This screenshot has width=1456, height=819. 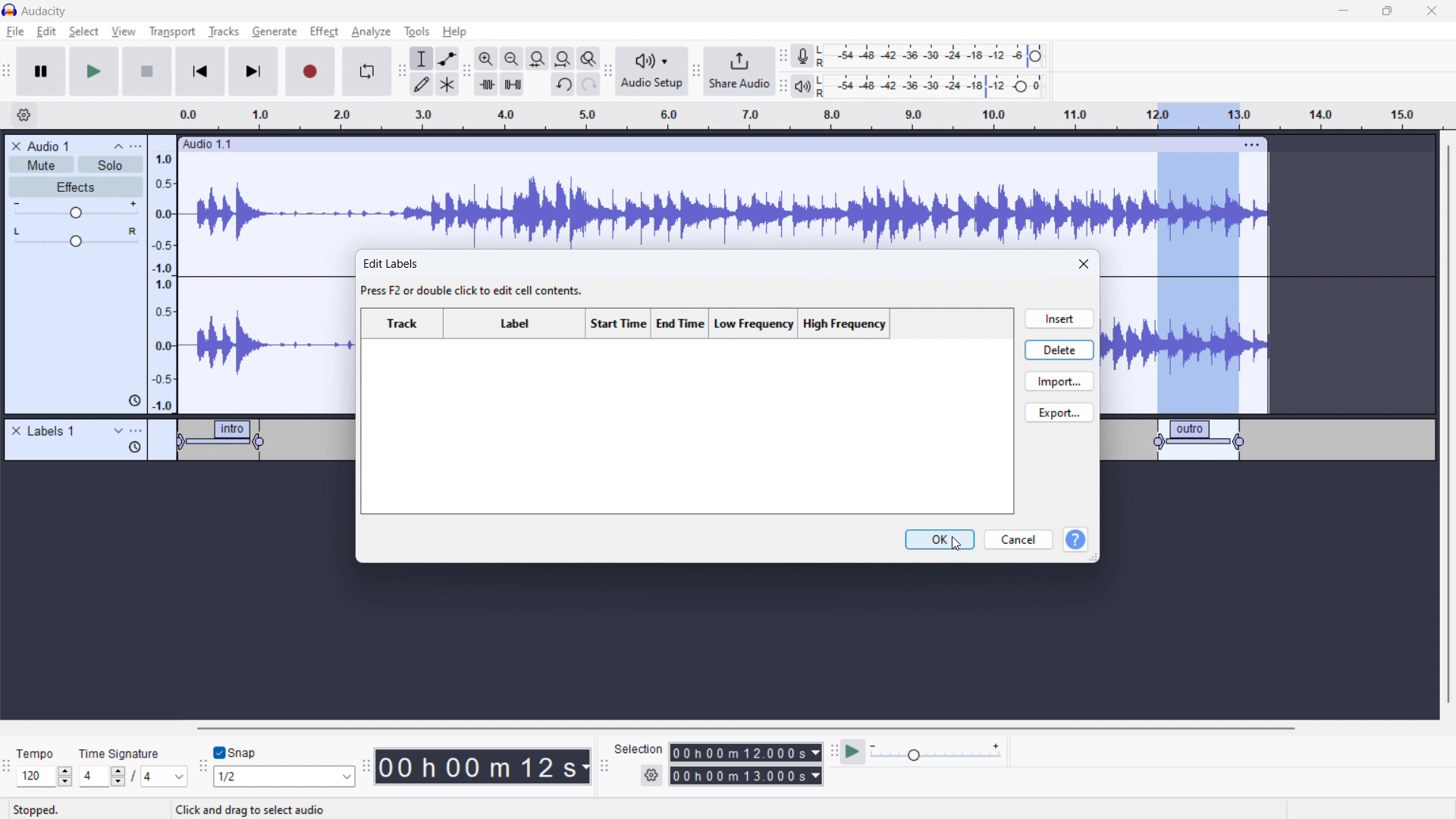 I want to click on close, so click(x=1432, y=11).